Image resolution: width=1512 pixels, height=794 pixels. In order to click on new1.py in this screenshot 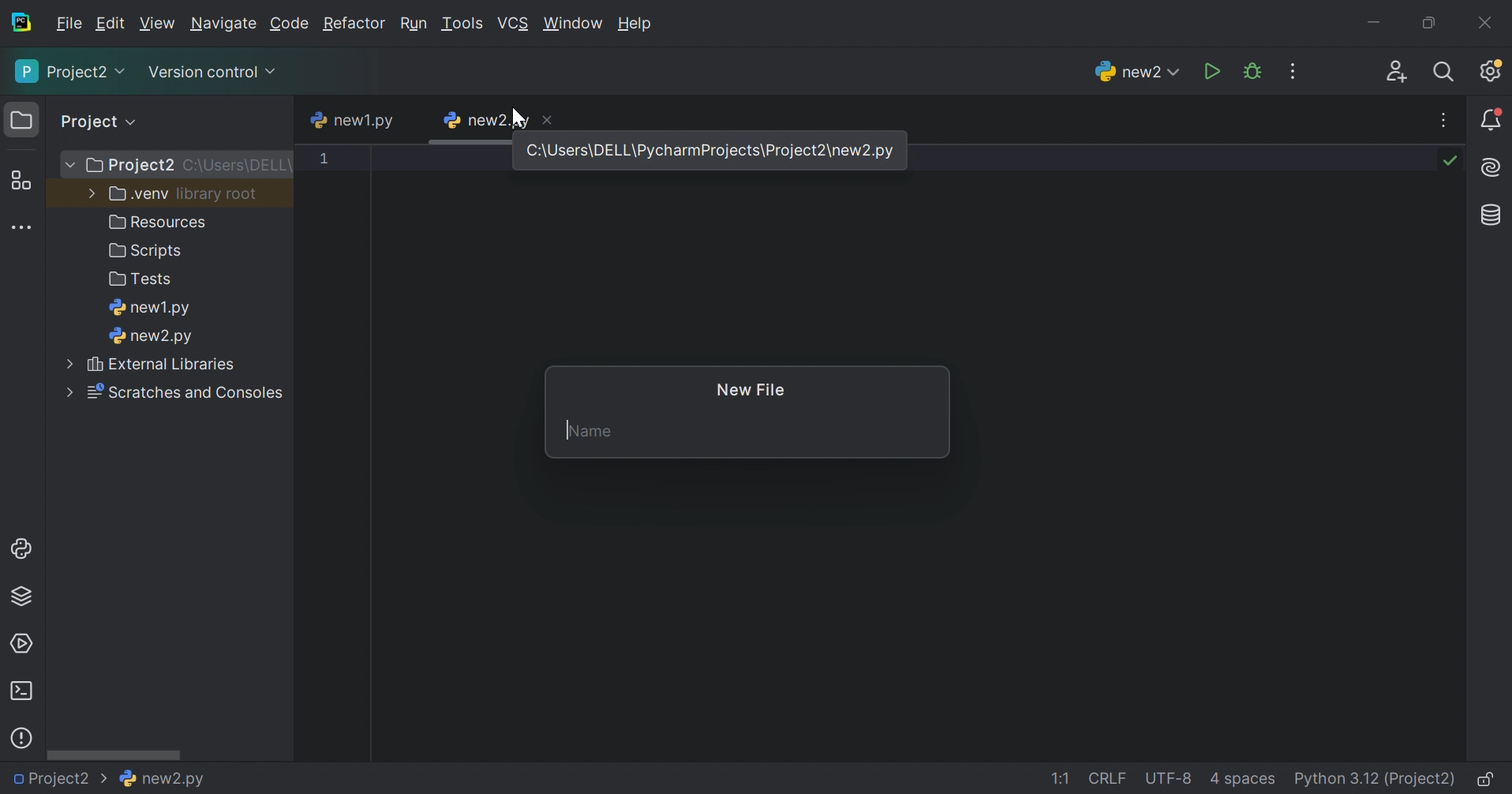, I will do `click(152, 309)`.